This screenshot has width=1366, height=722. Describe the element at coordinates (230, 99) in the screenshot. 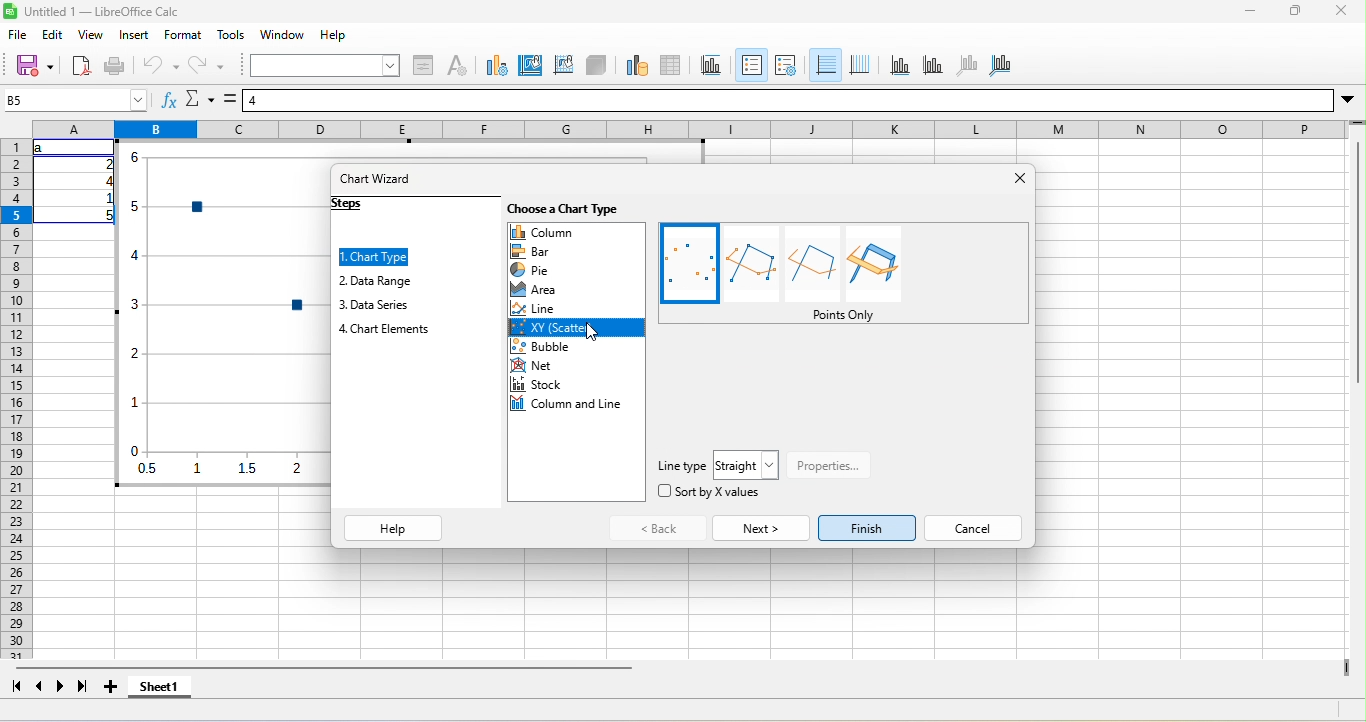

I see `formula` at that location.